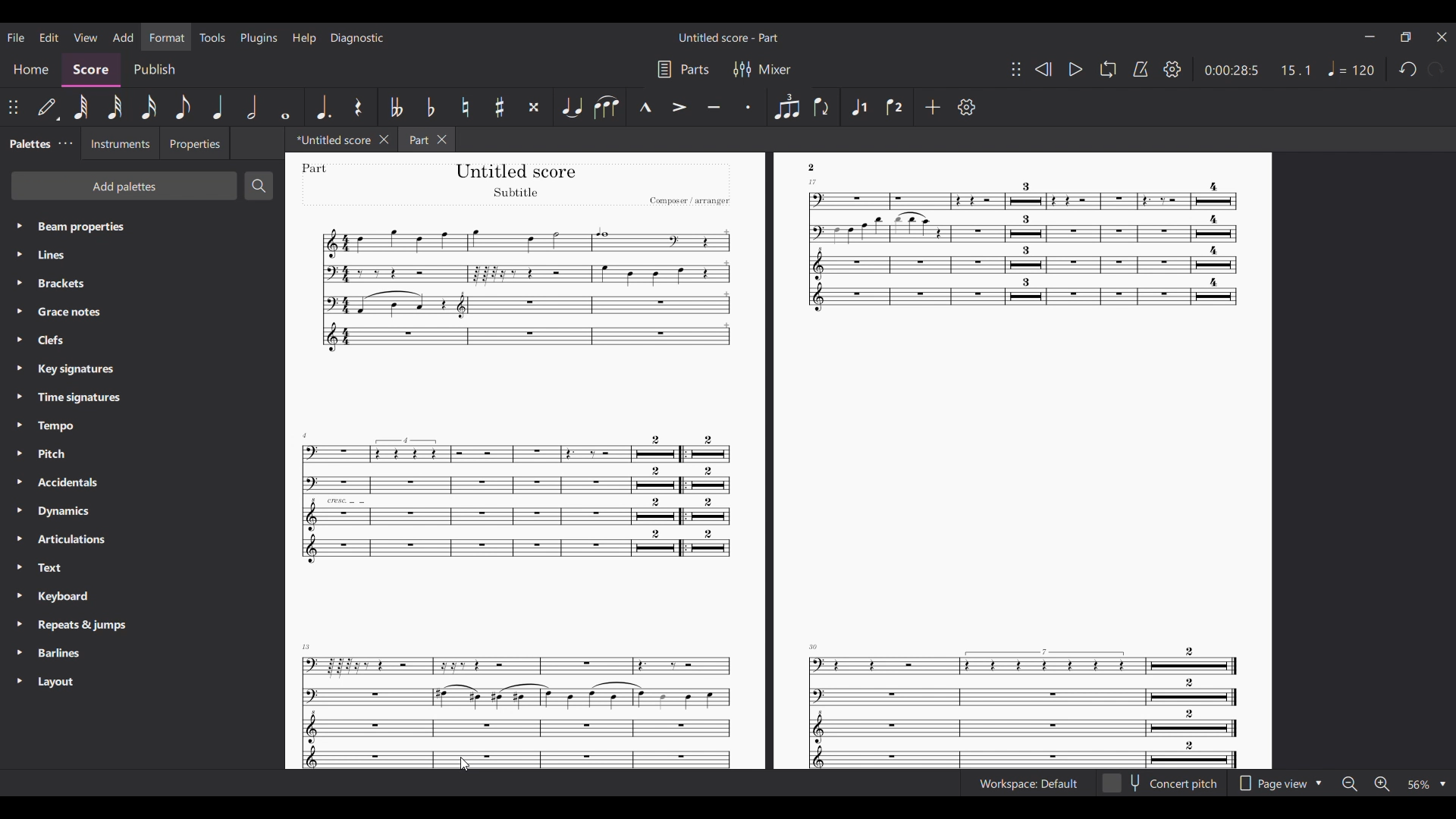  Describe the element at coordinates (517, 691) in the screenshot. I see `` at that location.